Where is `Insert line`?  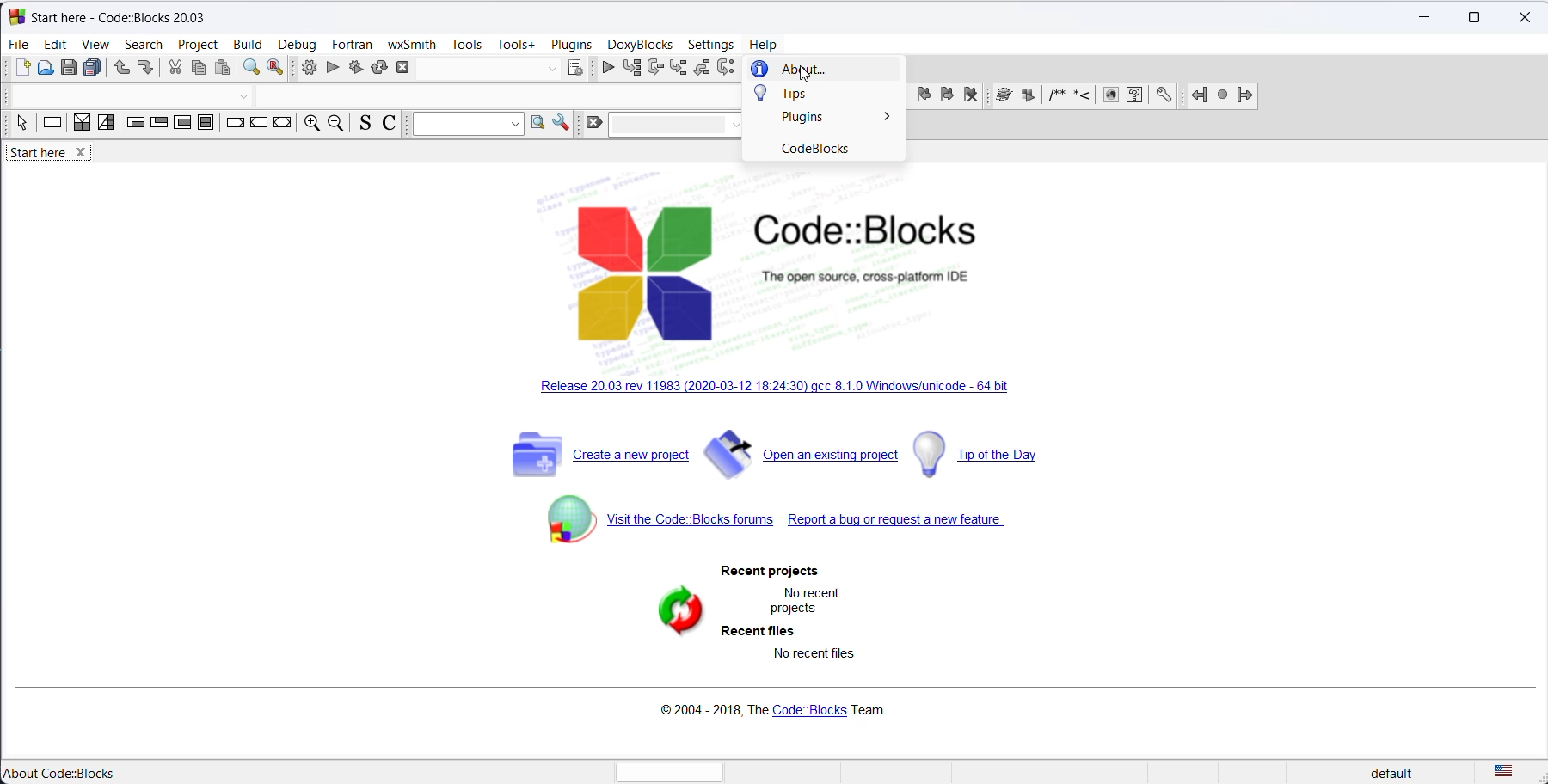 Insert line is located at coordinates (1085, 95).